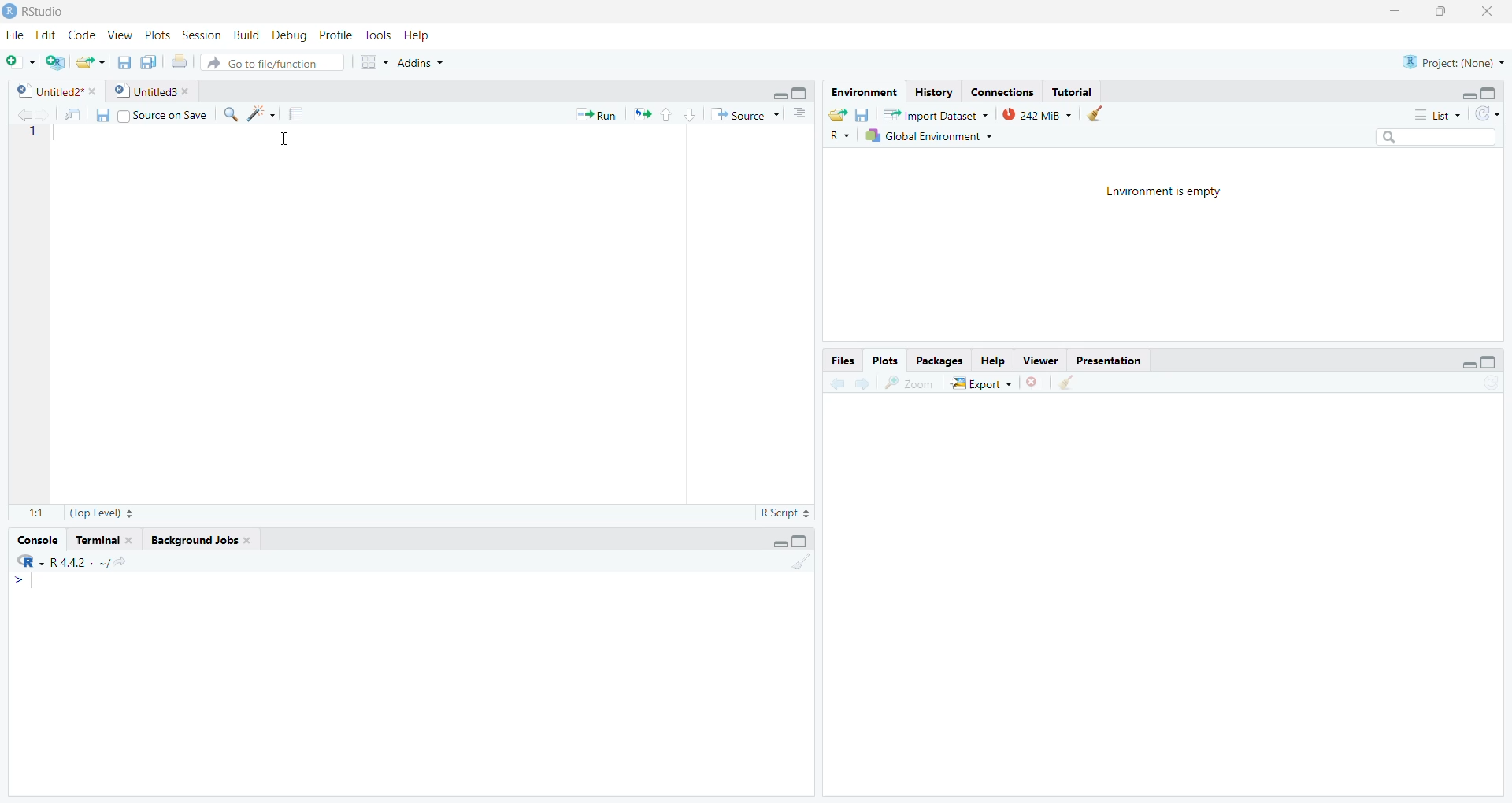  Describe the element at coordinates (148, 61) in the screenshot. I see `save all open documents` at that location.